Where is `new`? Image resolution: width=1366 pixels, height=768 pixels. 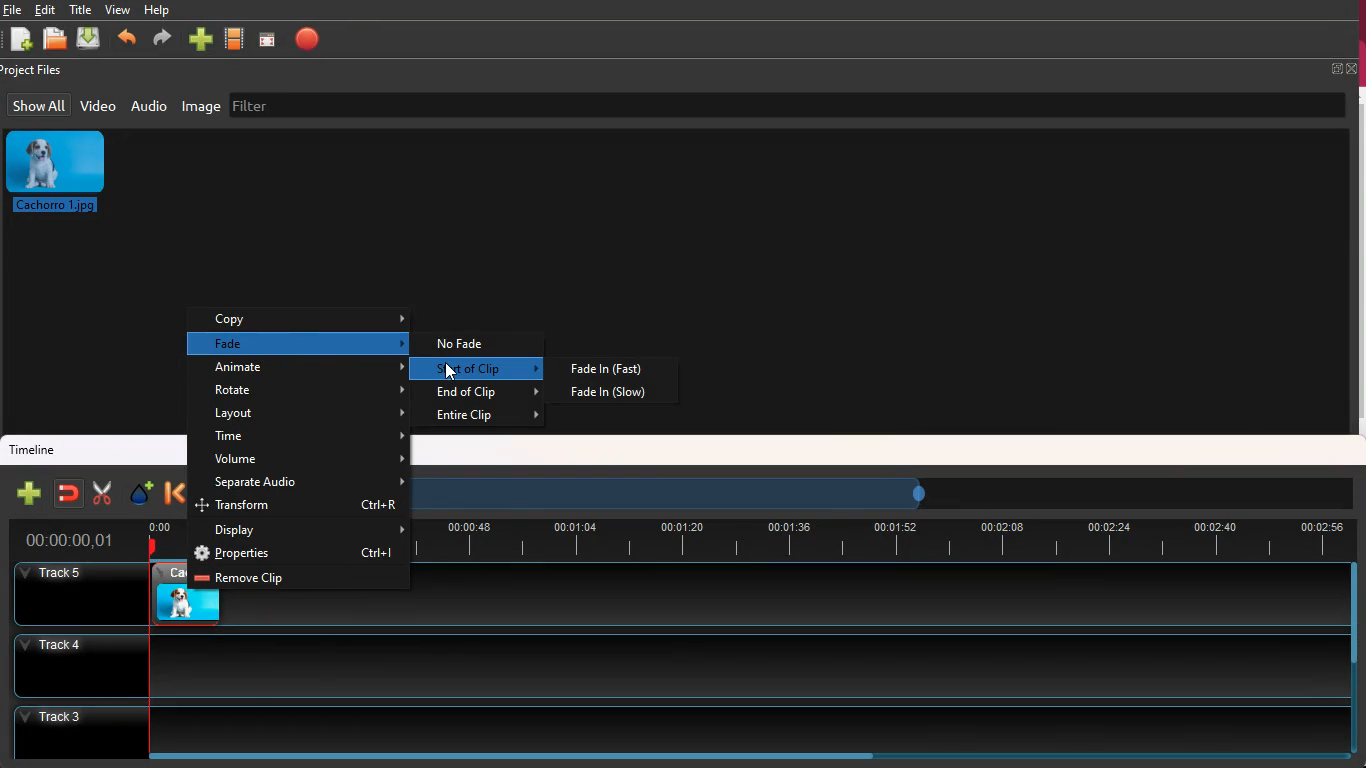
new is located at coordinates (29, 493).